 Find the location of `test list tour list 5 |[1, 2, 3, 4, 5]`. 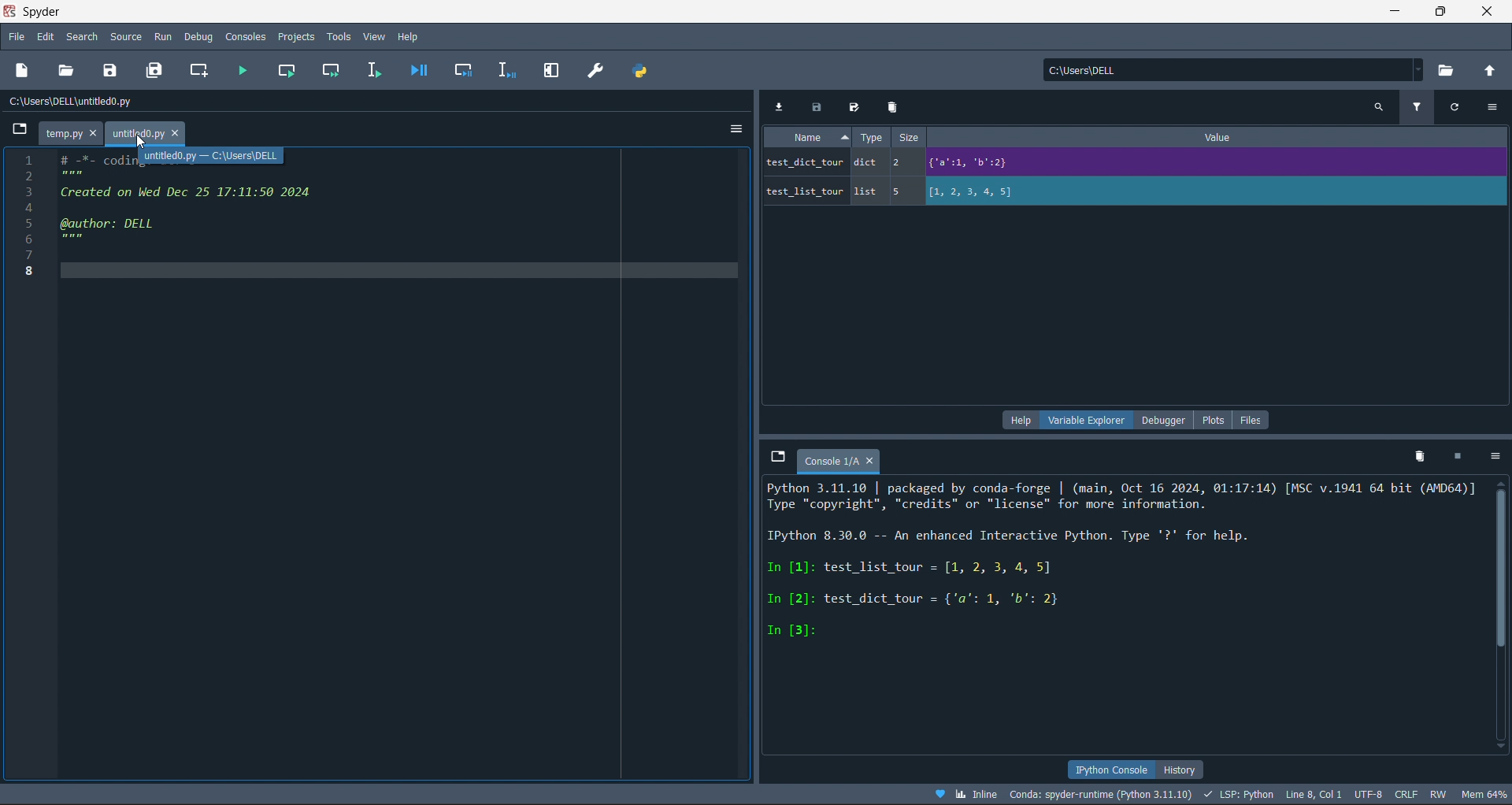

test list tour list 5 |[1, 2, 3, 4, 5] is located at coordinates (1005, 195).